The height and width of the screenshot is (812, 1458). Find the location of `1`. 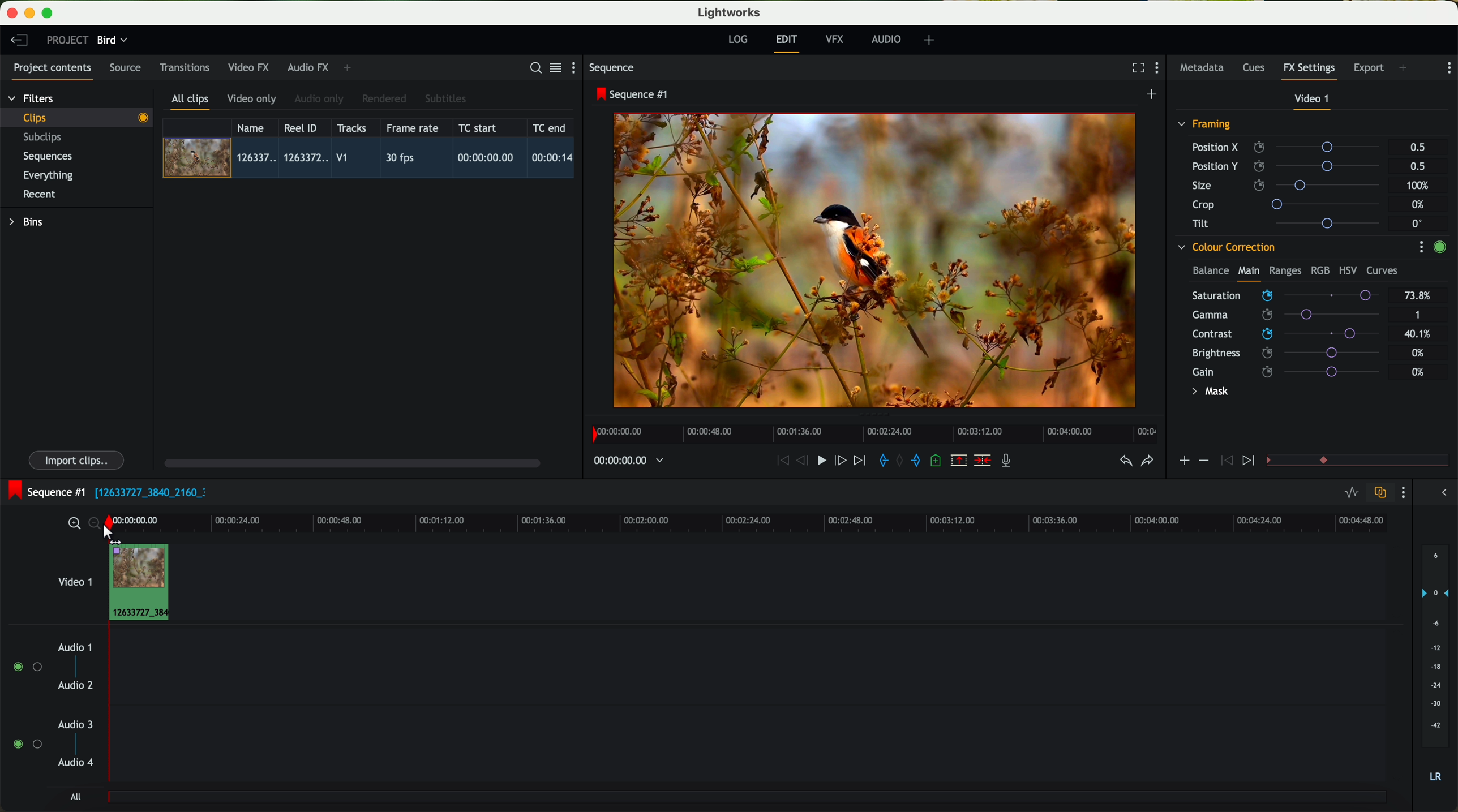

1 is located at coordinates (1418, 316).